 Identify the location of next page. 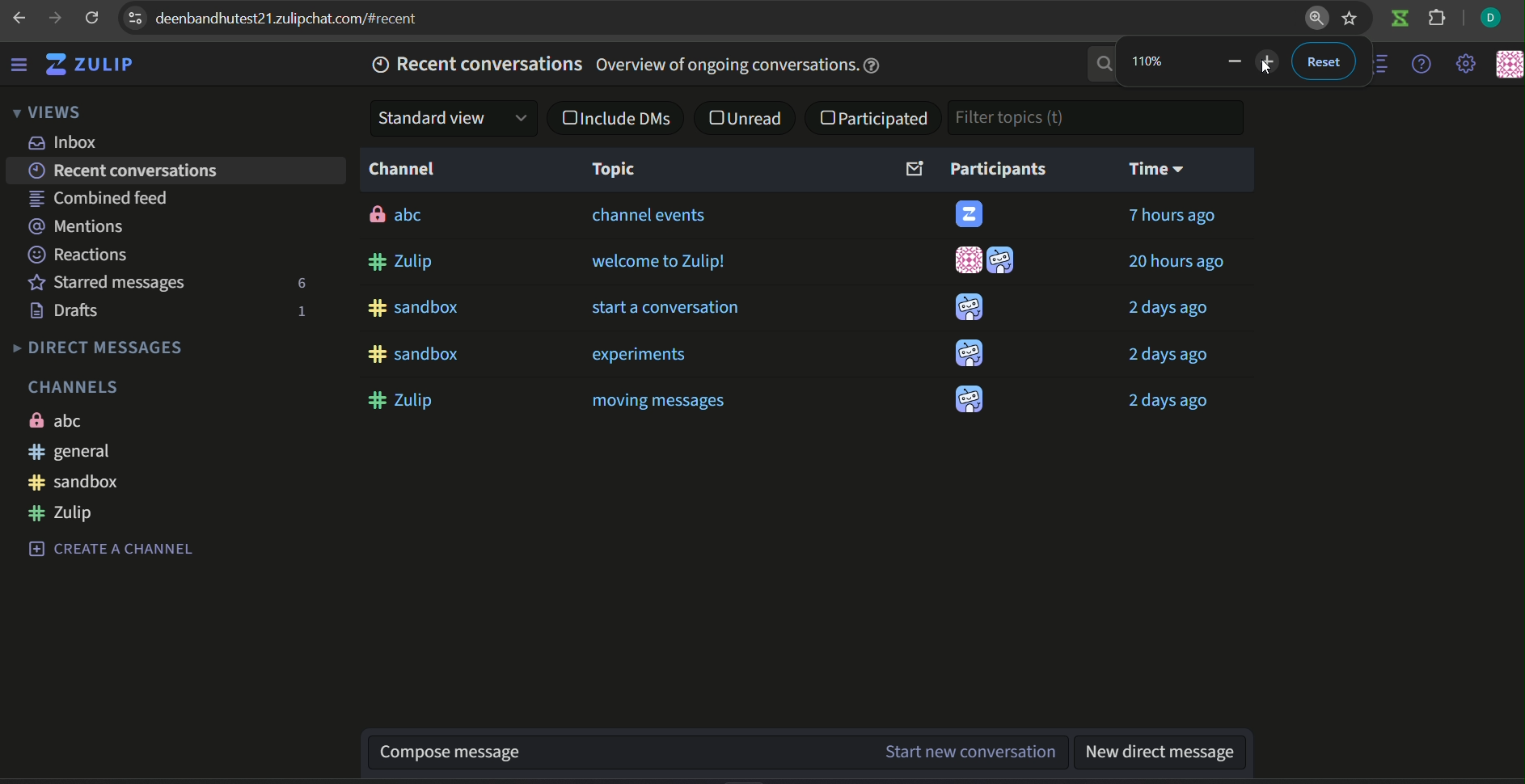
(55, 18).